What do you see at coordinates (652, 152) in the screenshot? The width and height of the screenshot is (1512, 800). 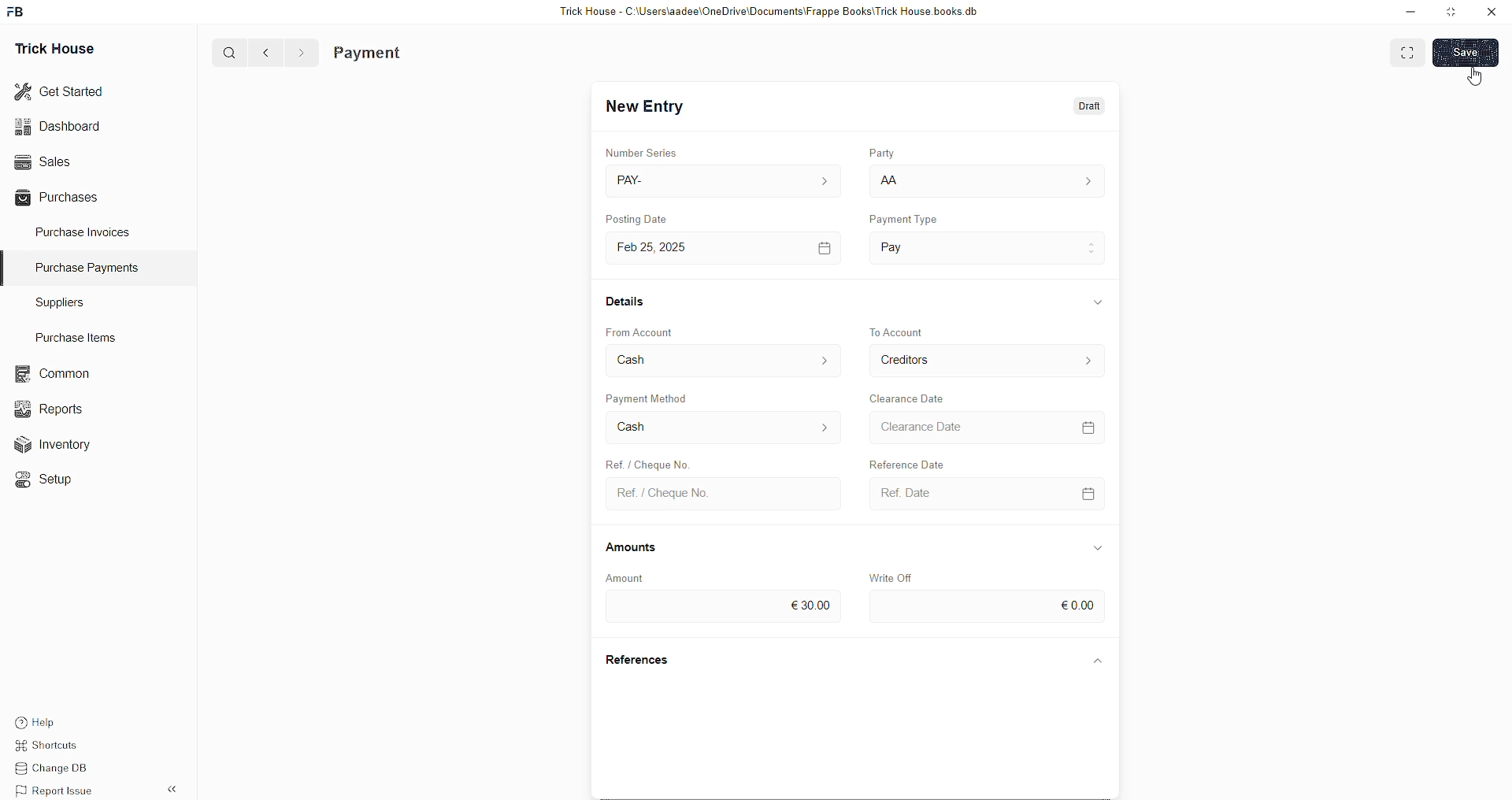 I see `Number Series` at bounding box center [652, 152].